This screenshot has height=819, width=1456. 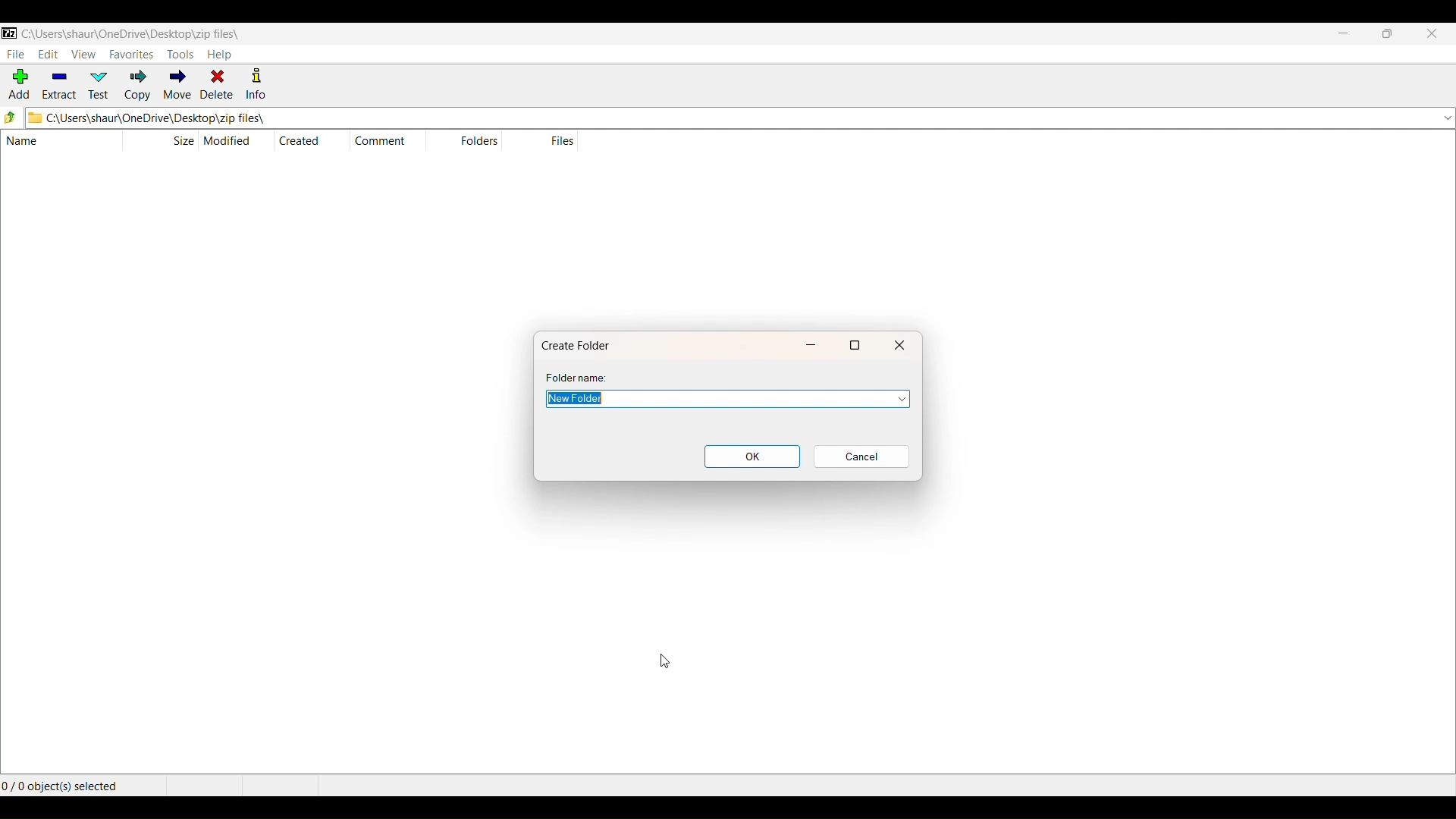 I want to click on FAVORITES, so click(x=130, y=53).